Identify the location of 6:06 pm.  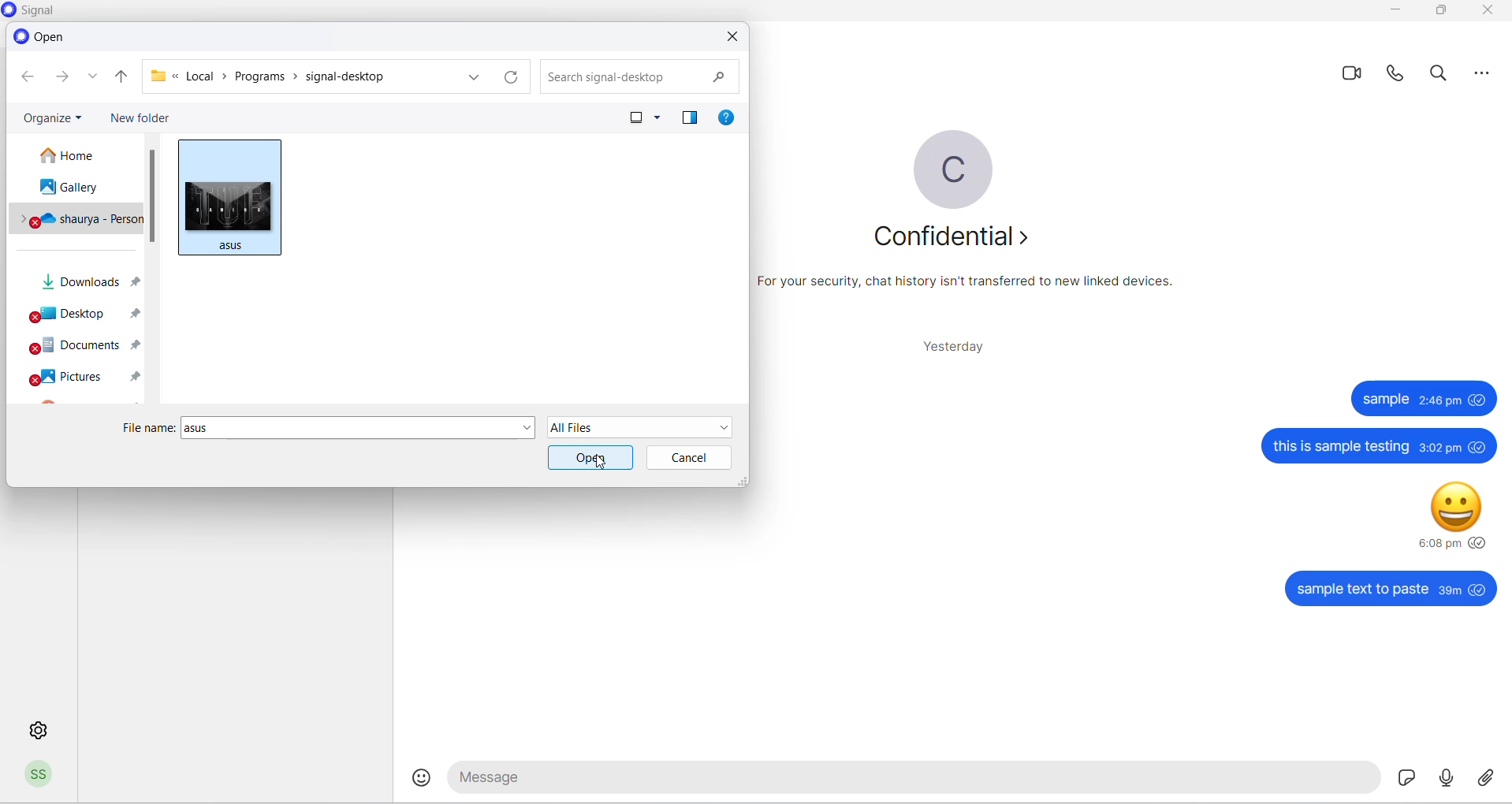
(1438, 543).